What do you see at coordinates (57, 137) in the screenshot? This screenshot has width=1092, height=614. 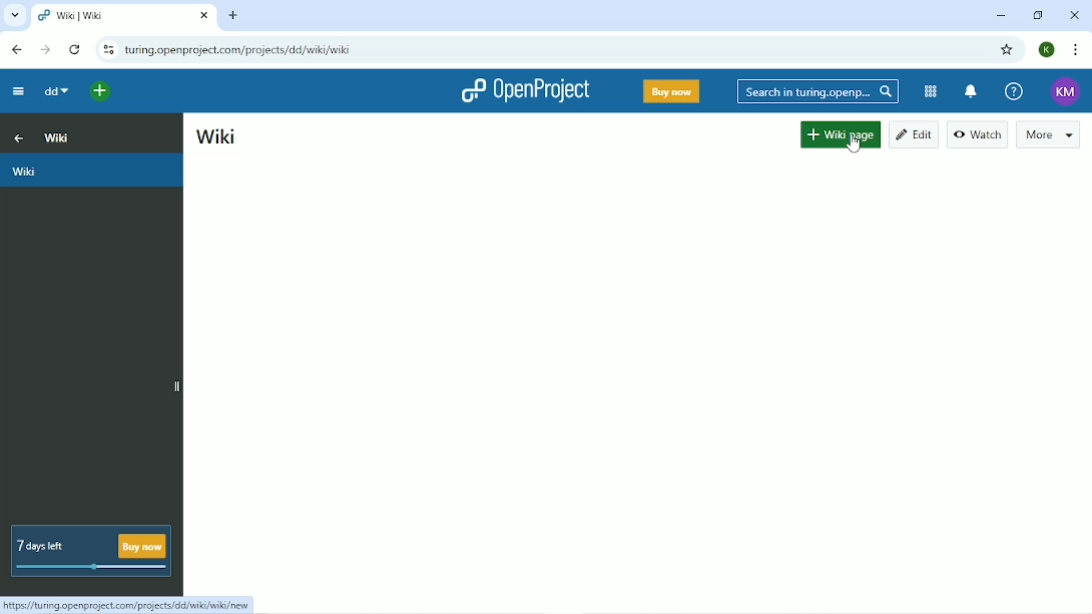 I see `Wiki` at bounding box center [57, 137].